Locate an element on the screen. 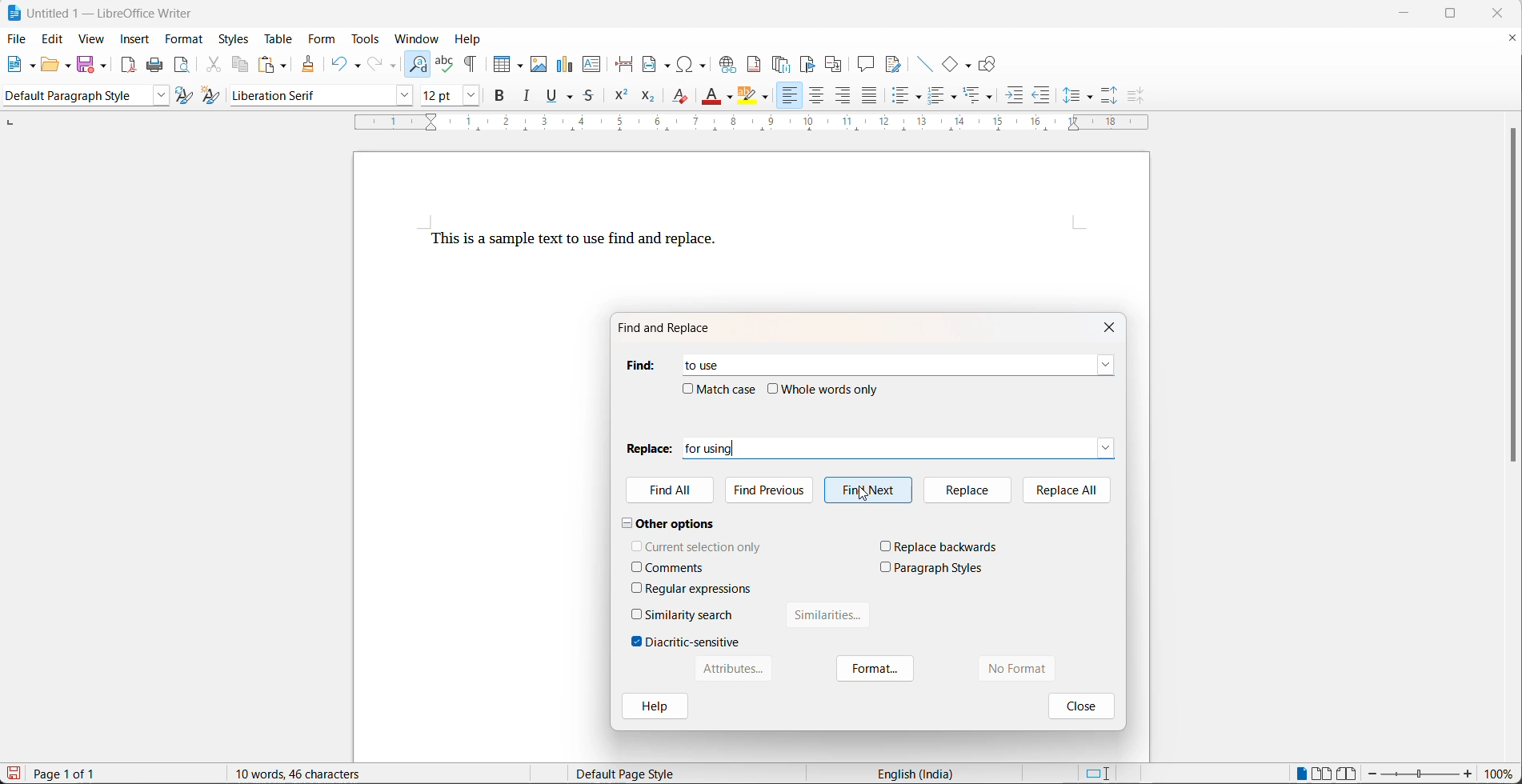 The height and width of the screenshot is (784, 1522). line spacing options is located at coordinates (1071, 96).